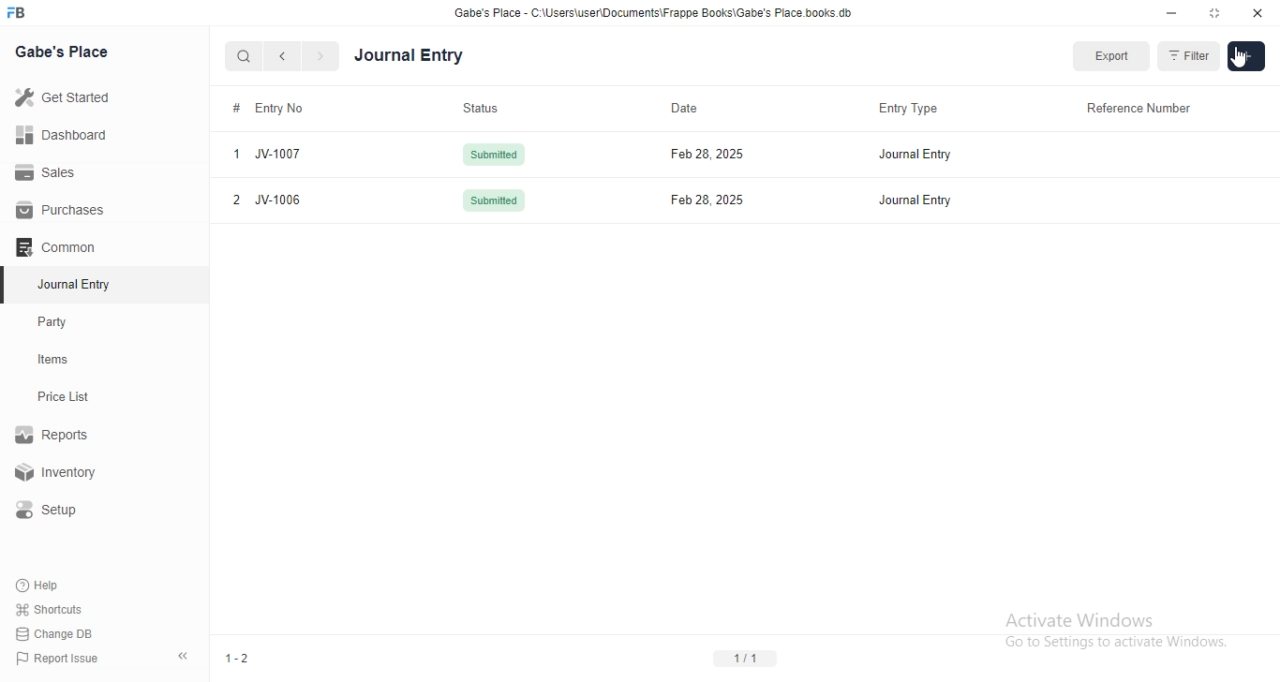 The image size is (1280, 682). What do you see at coordinates (241, 56) in the screenshot?
I see `search` at bounding box center [241, 56].